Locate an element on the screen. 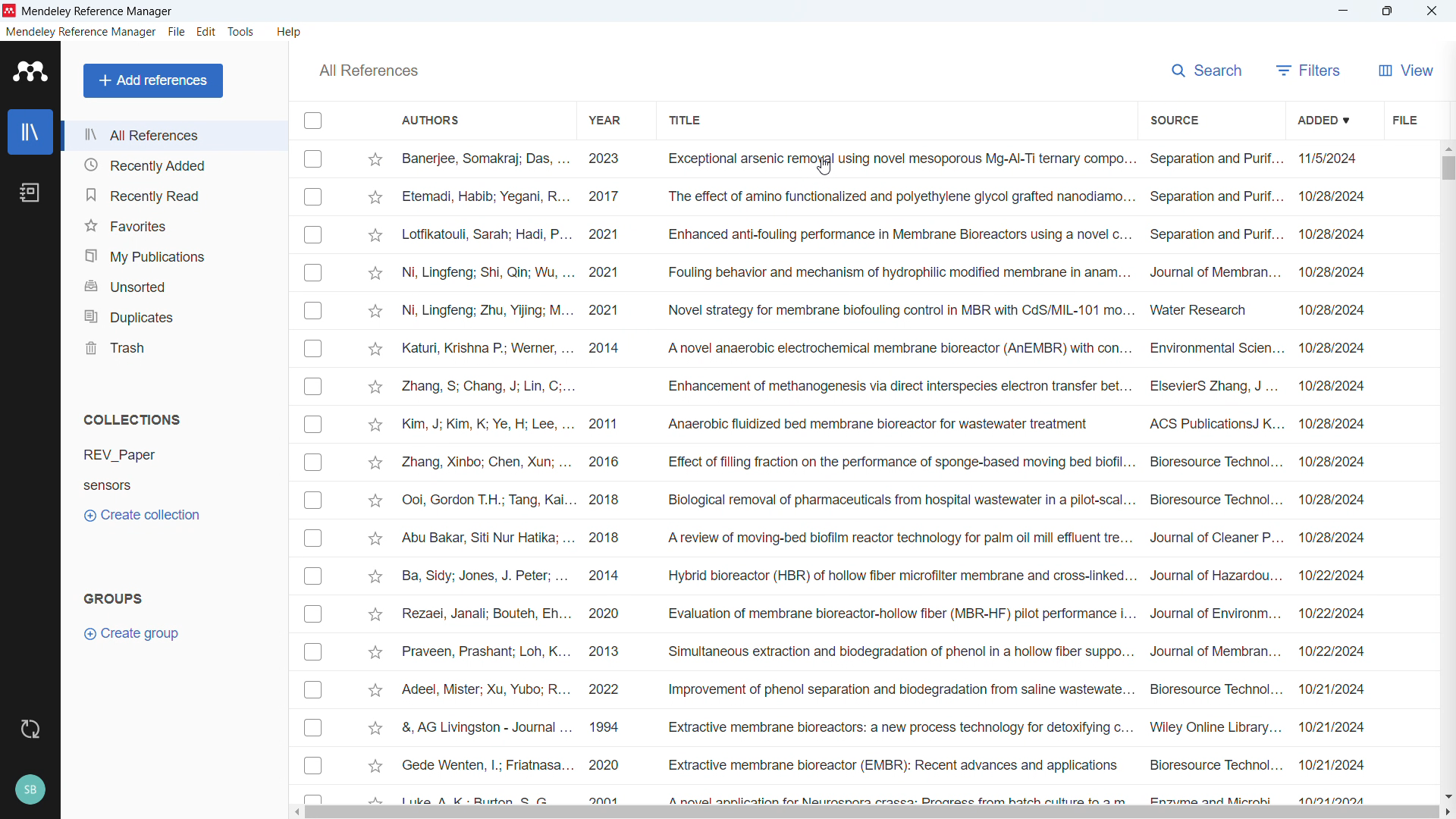 The image size is (1456, 819). ooi,gordon t.h,tang,kai is located at coordinates (485, 501).